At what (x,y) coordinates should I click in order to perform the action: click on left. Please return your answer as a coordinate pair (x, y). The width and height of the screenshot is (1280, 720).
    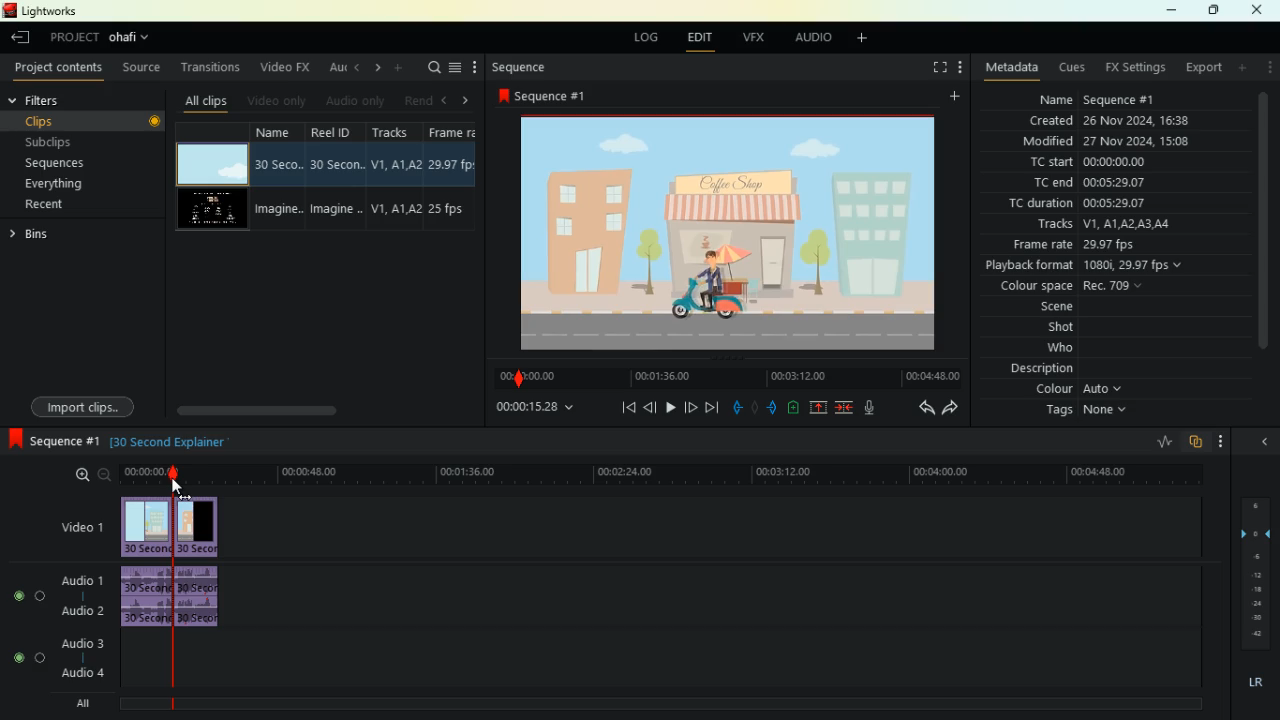
    Looking at the image, I should click on (446, 102).